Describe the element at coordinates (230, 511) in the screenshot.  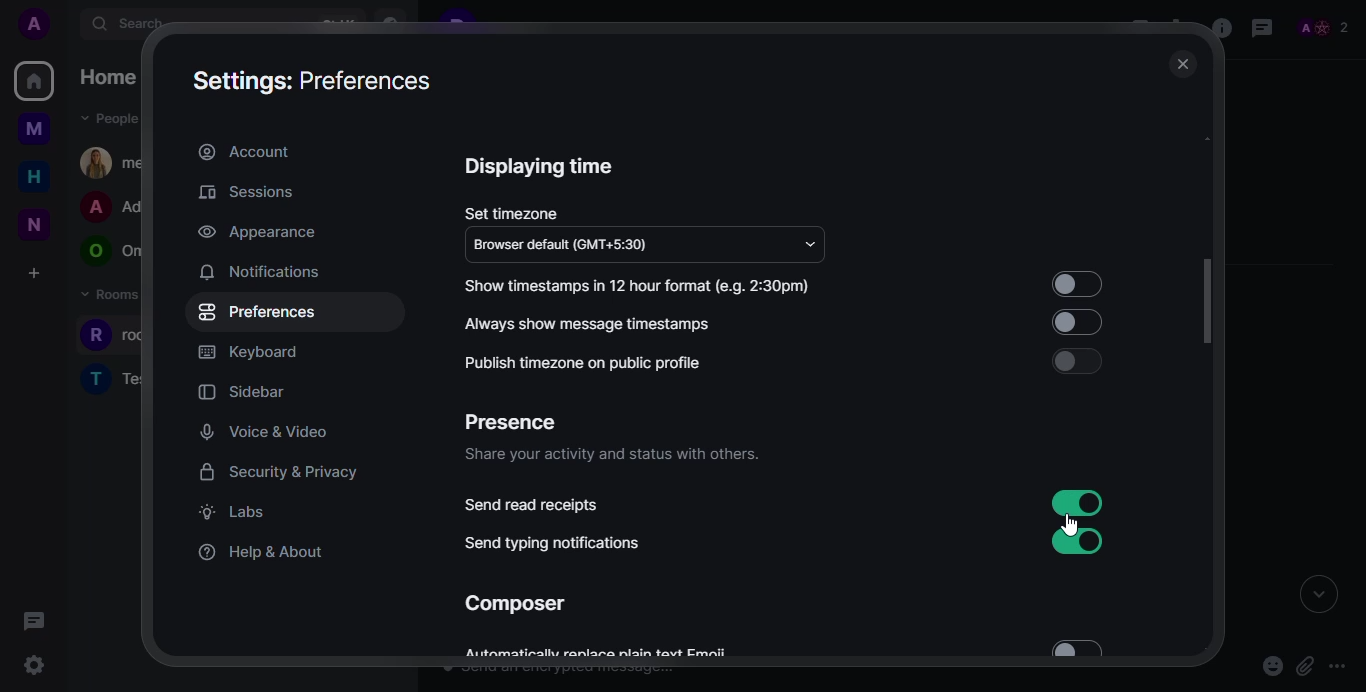
I see `labs` at that location.